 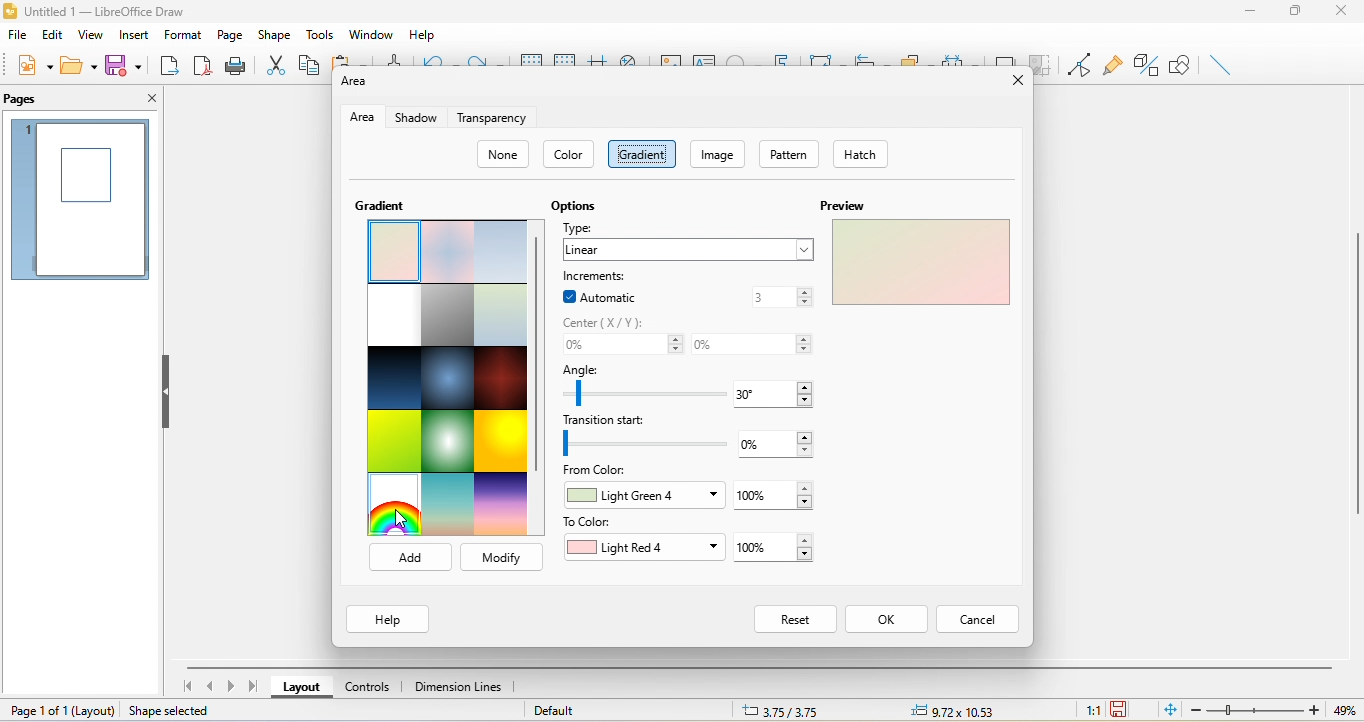 What do you see at coordinates (492, 121) in the screenshot?
I see `transparency` at bounding box center [492, 121].